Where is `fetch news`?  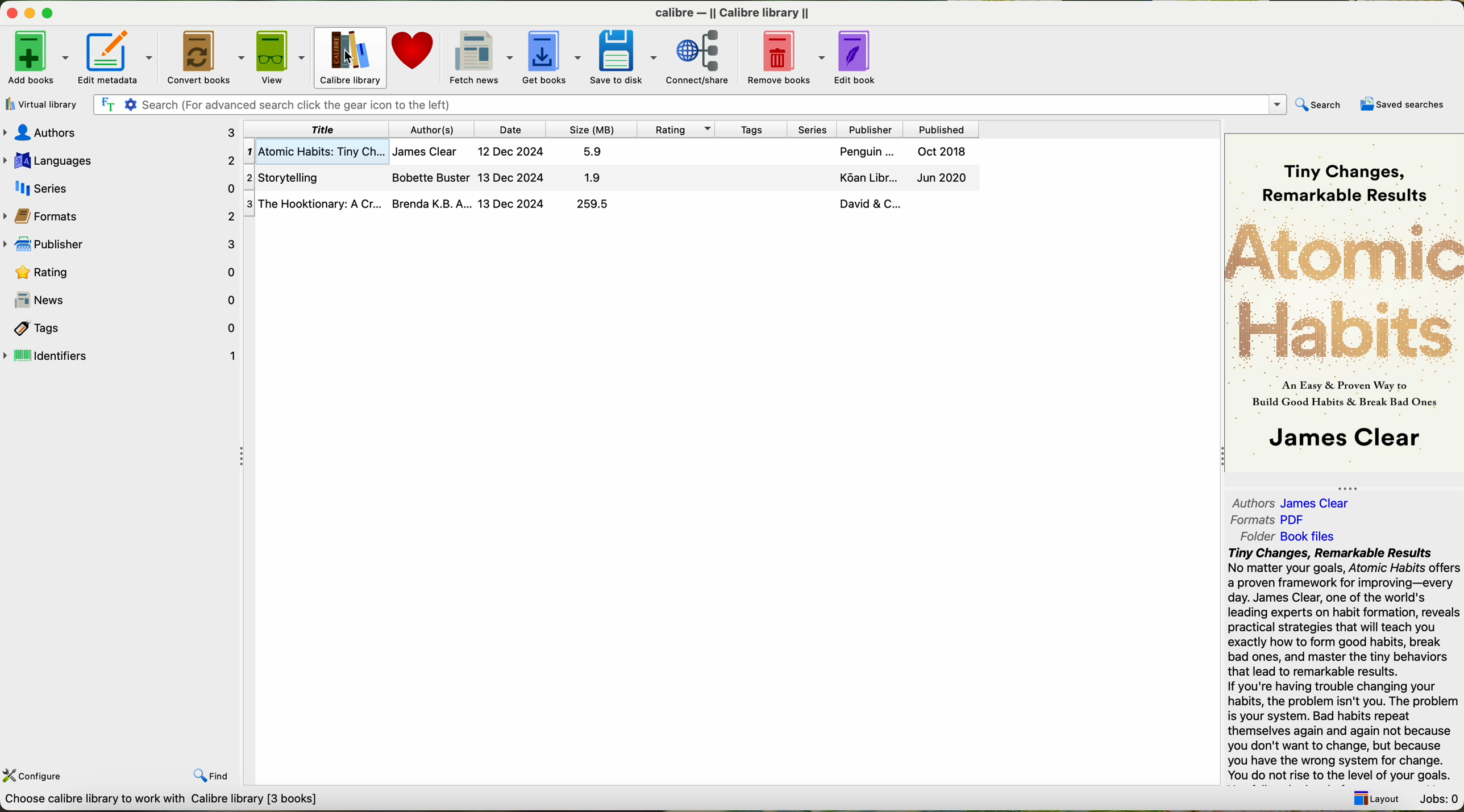
fetch news is located at coordinates (479, 56).